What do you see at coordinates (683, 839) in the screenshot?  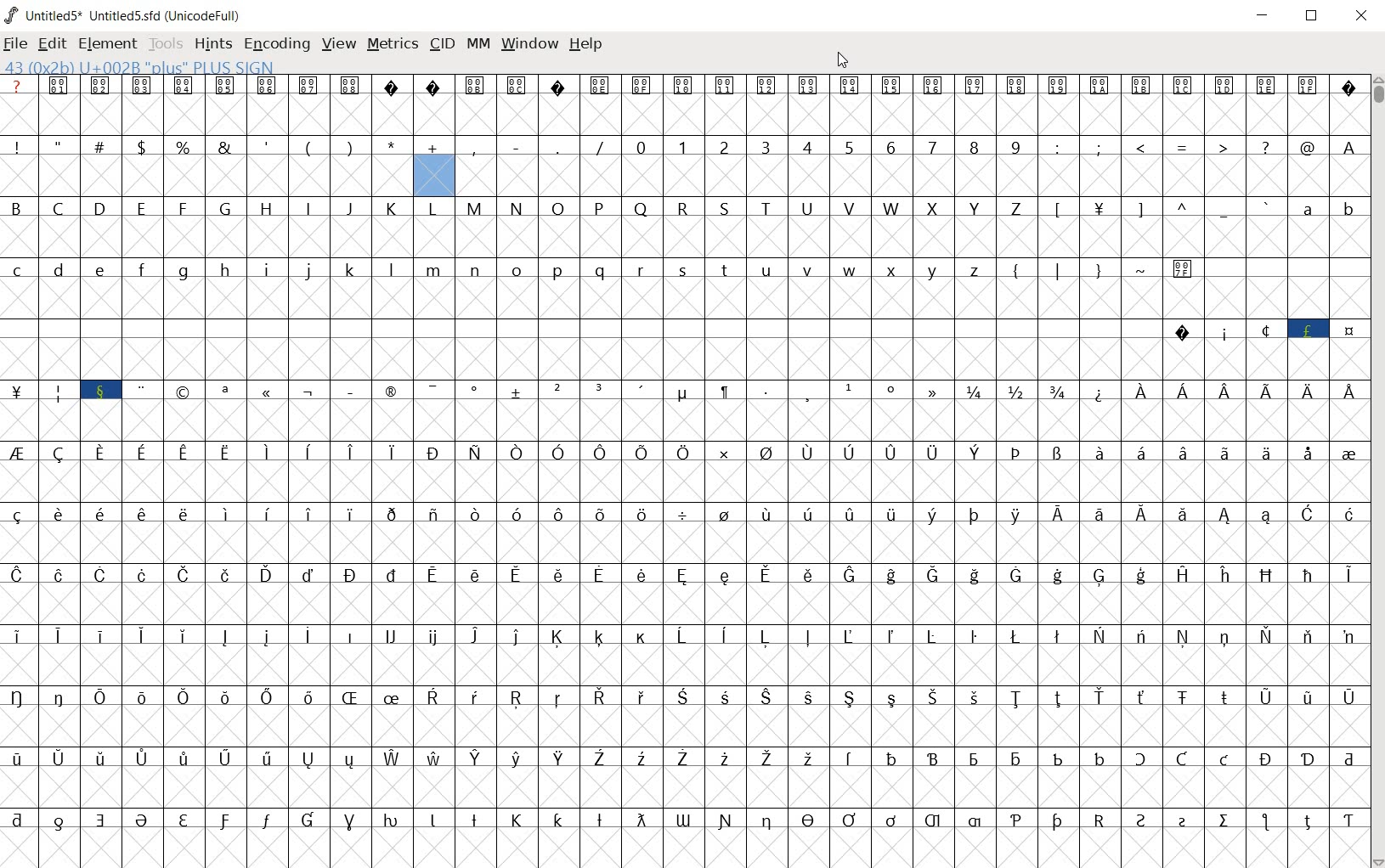 I see `special characters` at bounding box center [683, 839].